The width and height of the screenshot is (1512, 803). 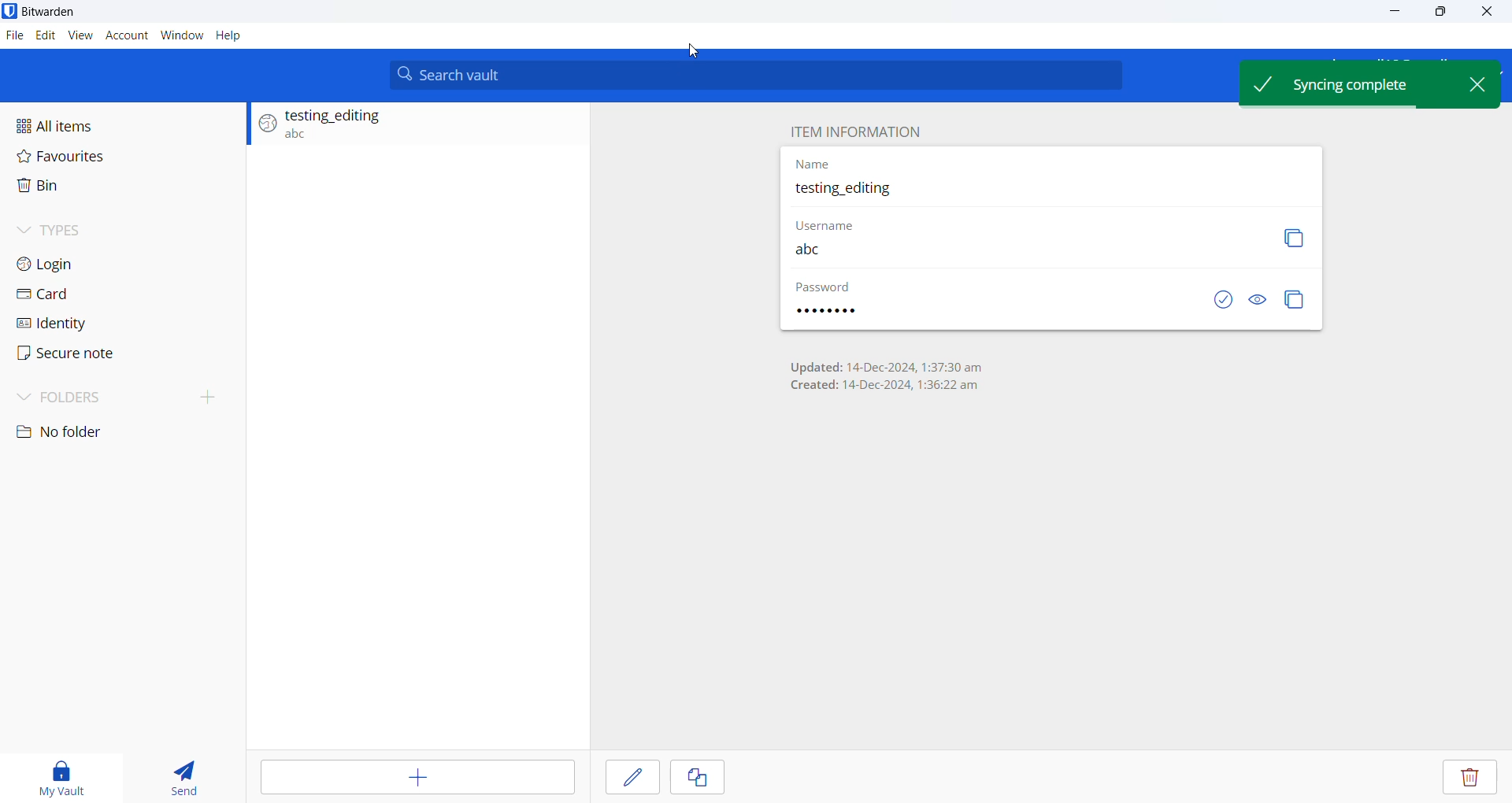 I want to click on No folder, so click(x=78, y=434).